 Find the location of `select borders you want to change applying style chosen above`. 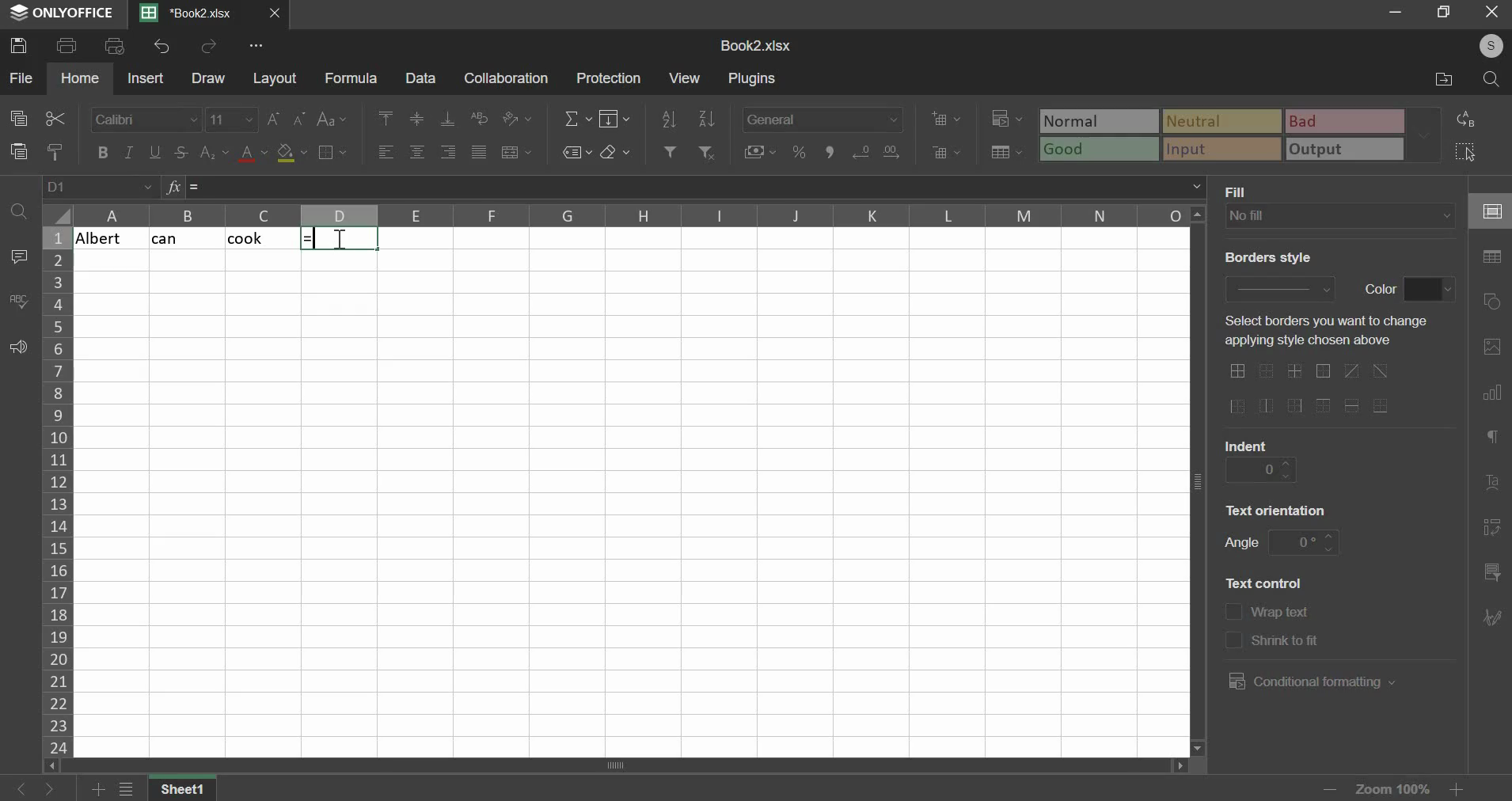

select borders you want to change applying style chosen above is located at coordinates (1325, 332).